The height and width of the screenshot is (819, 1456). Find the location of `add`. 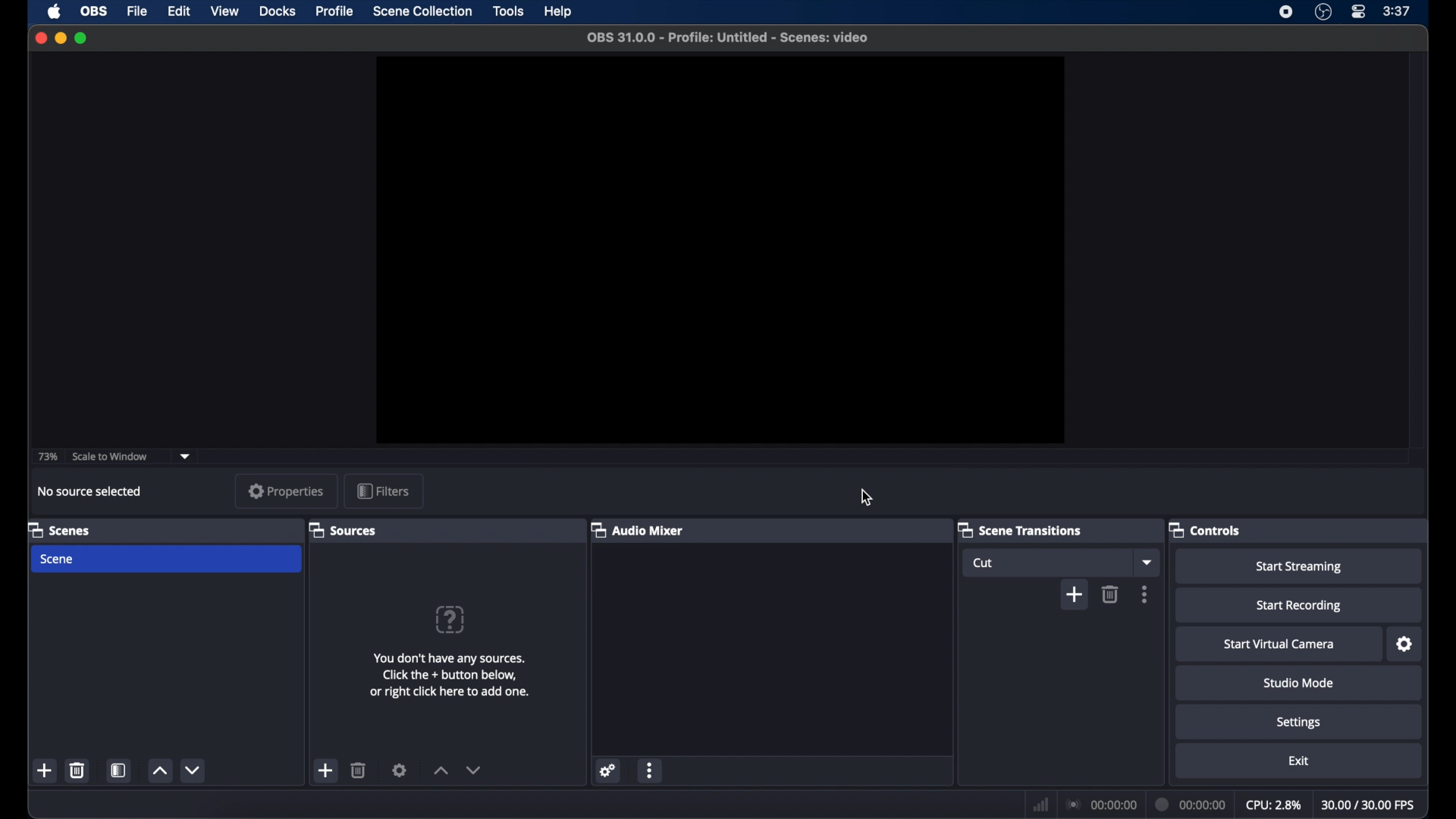

add is located at coordinates (45, 771).